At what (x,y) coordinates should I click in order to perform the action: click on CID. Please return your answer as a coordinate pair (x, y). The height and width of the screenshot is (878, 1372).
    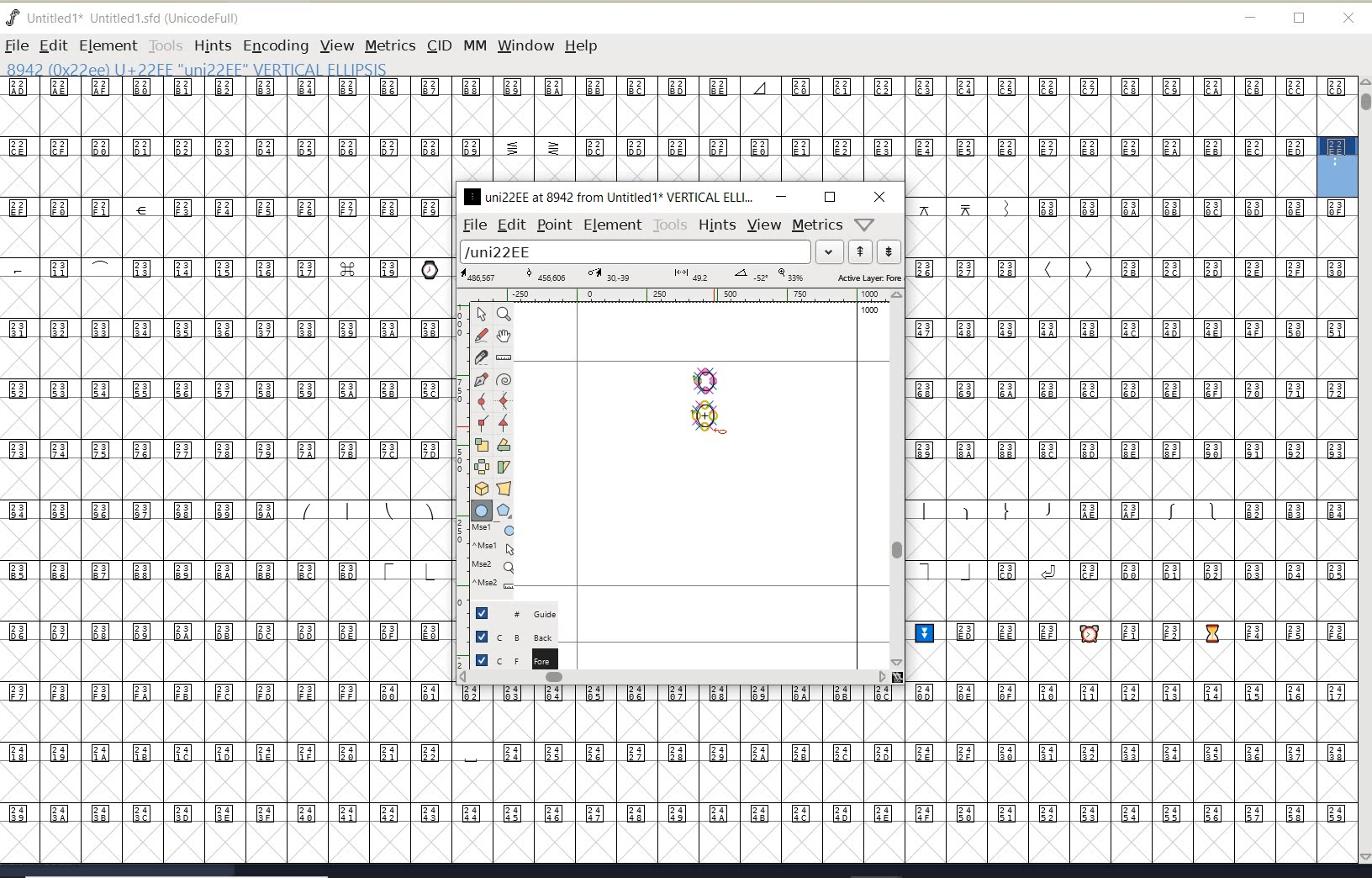
    Looking at the image, I should click on (438, 45).